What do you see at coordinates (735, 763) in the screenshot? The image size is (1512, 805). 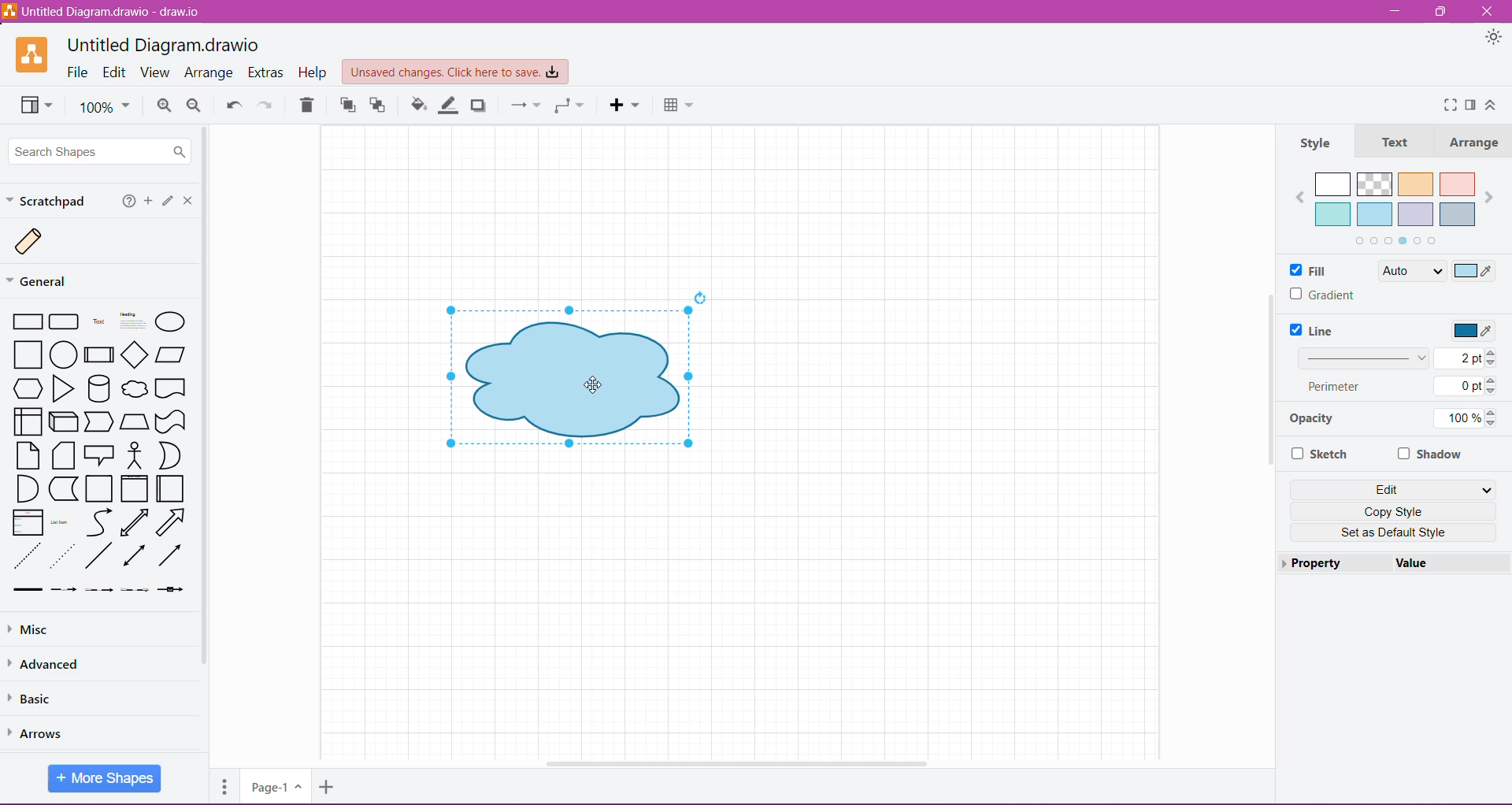 I see `Horizontal Scroll Bar` at bounding box center [735, 763].